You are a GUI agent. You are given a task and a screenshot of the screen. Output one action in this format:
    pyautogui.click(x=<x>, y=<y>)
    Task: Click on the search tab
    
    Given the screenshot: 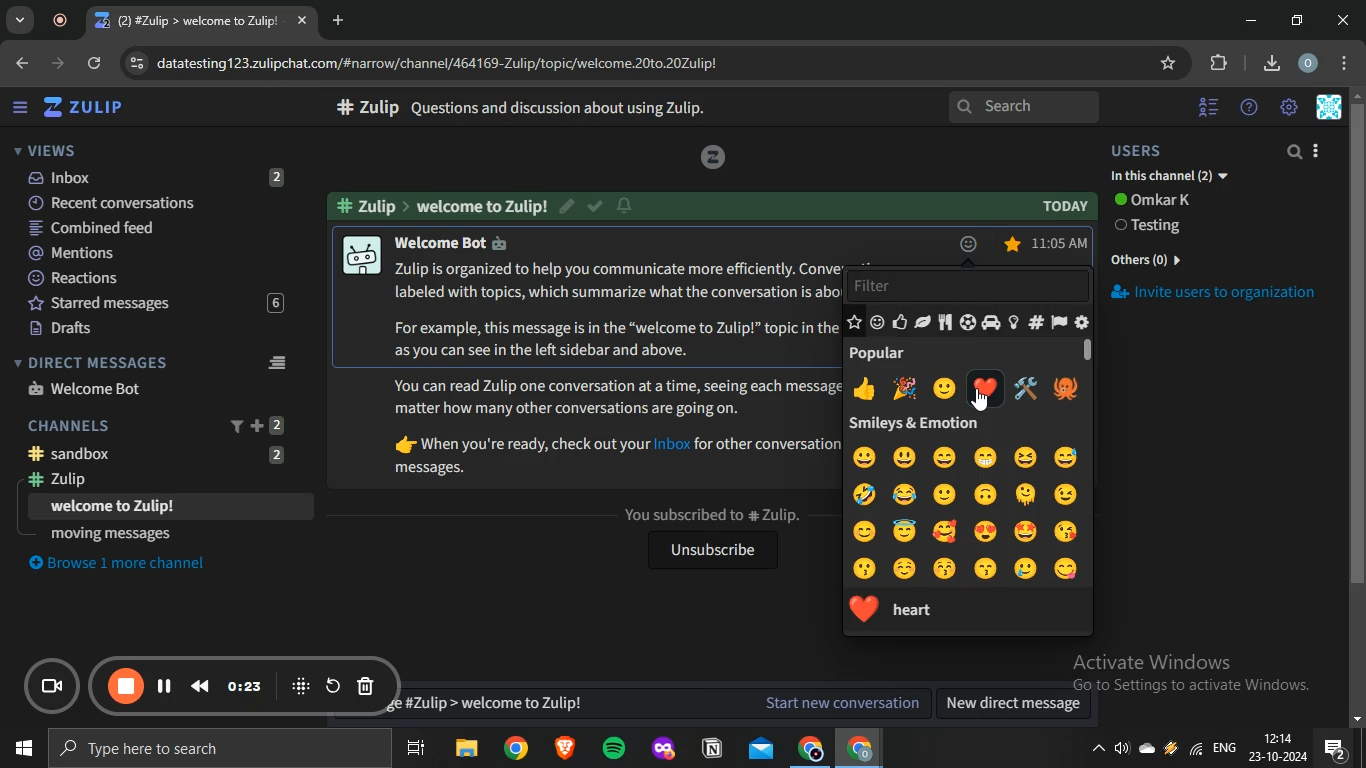 What is the action you would take?
    pyautogui.click(x=20, y=21)
    